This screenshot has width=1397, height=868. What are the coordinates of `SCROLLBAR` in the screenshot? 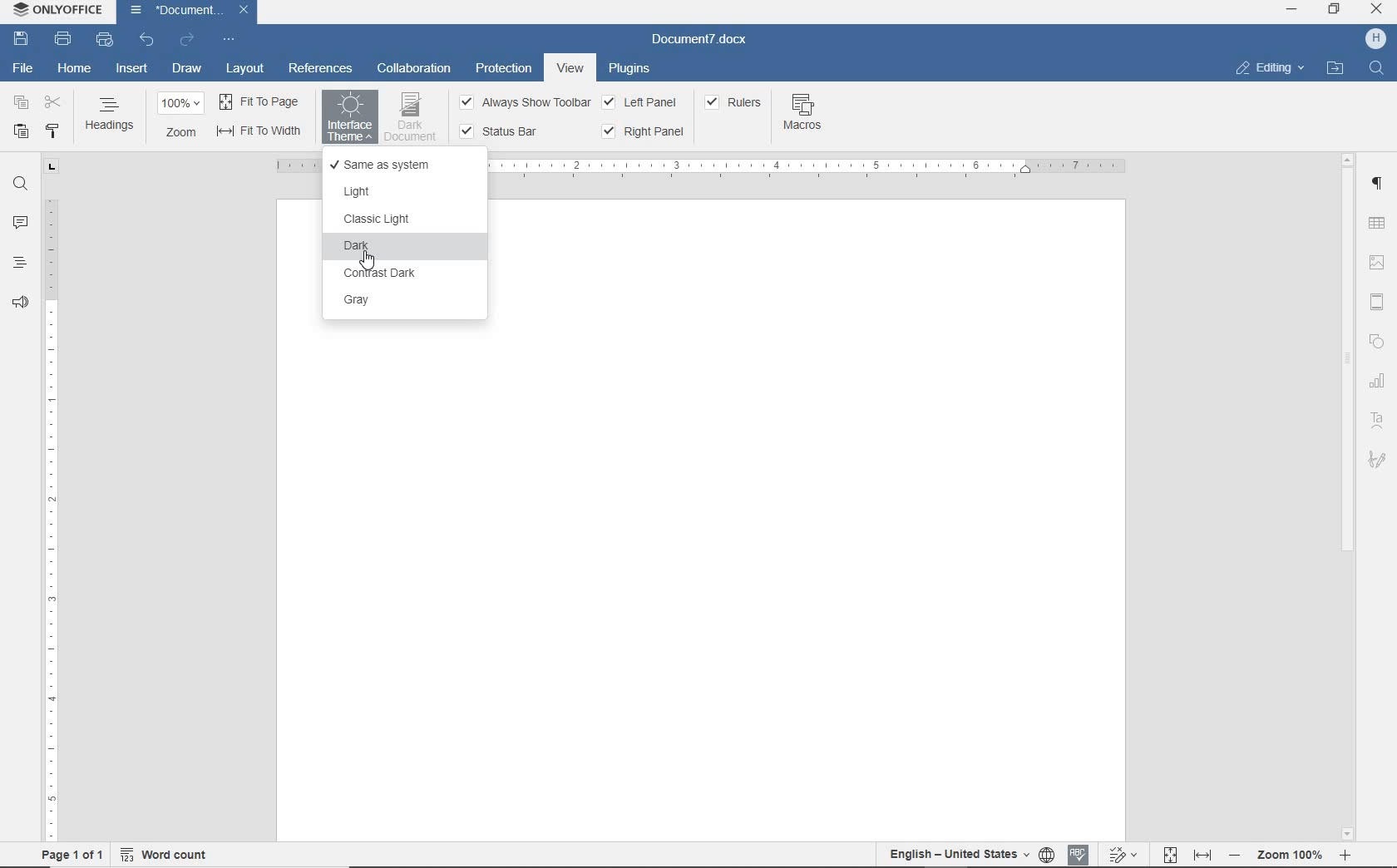 It's located at (1348, 496).